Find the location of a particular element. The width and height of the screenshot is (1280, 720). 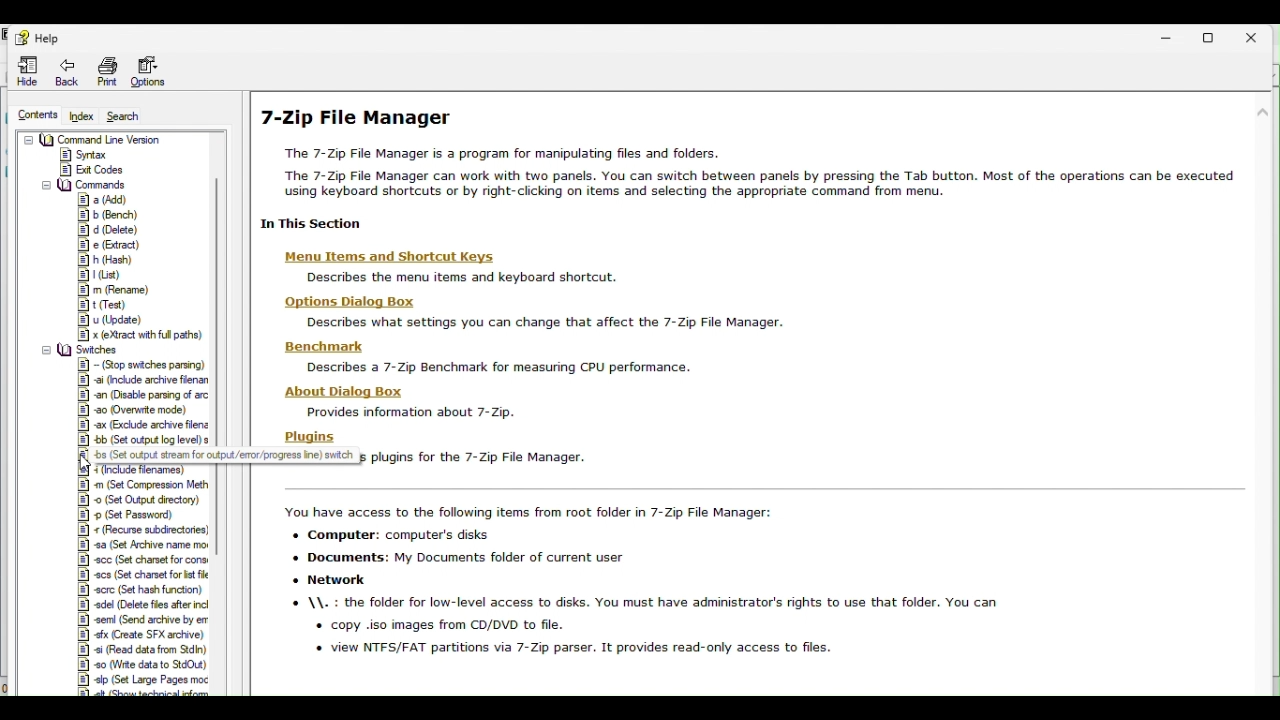

cursor is located at coordinates (87, 464).